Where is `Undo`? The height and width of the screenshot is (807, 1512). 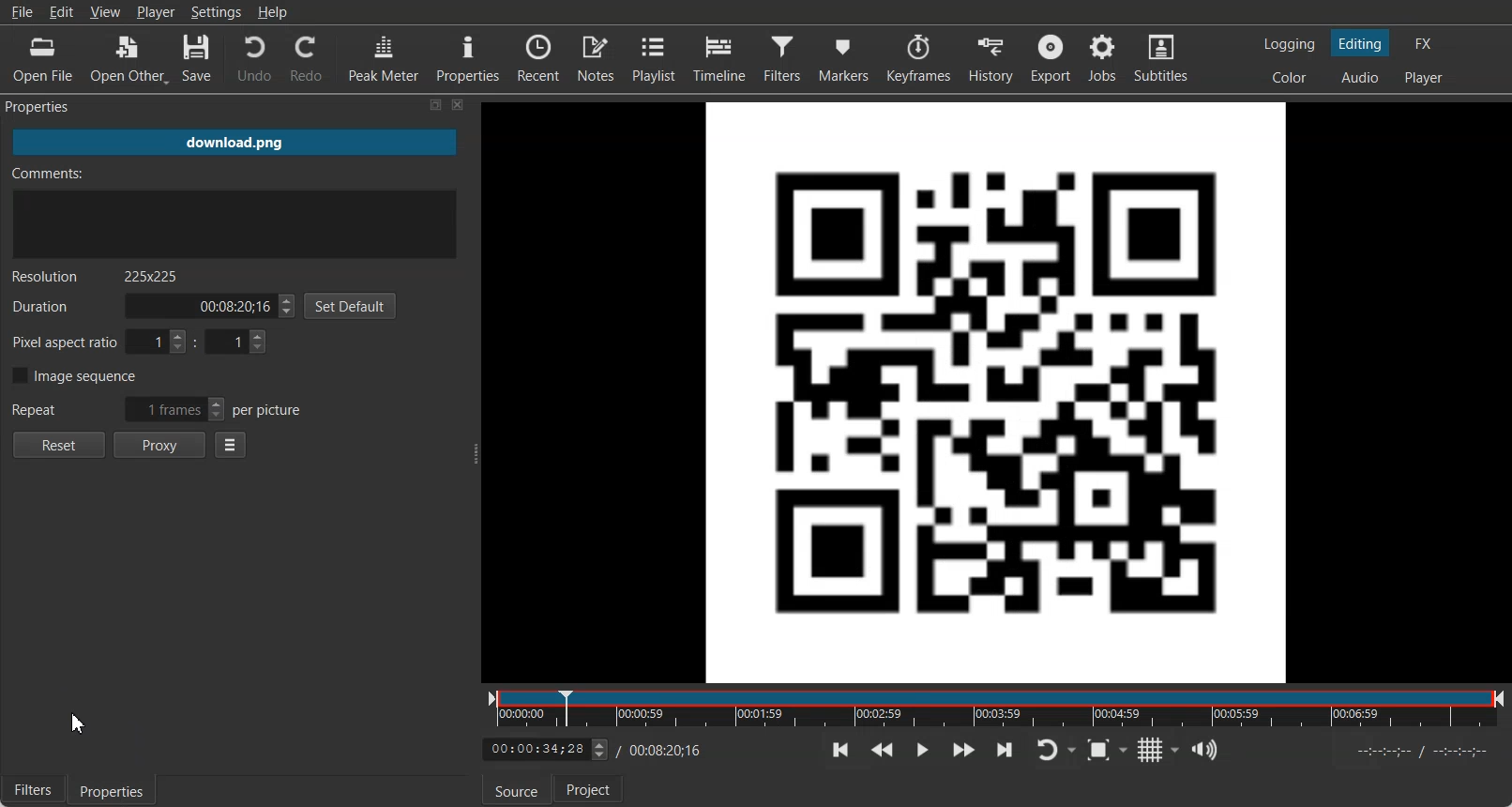
Undo is located at coordinates (252, 58).